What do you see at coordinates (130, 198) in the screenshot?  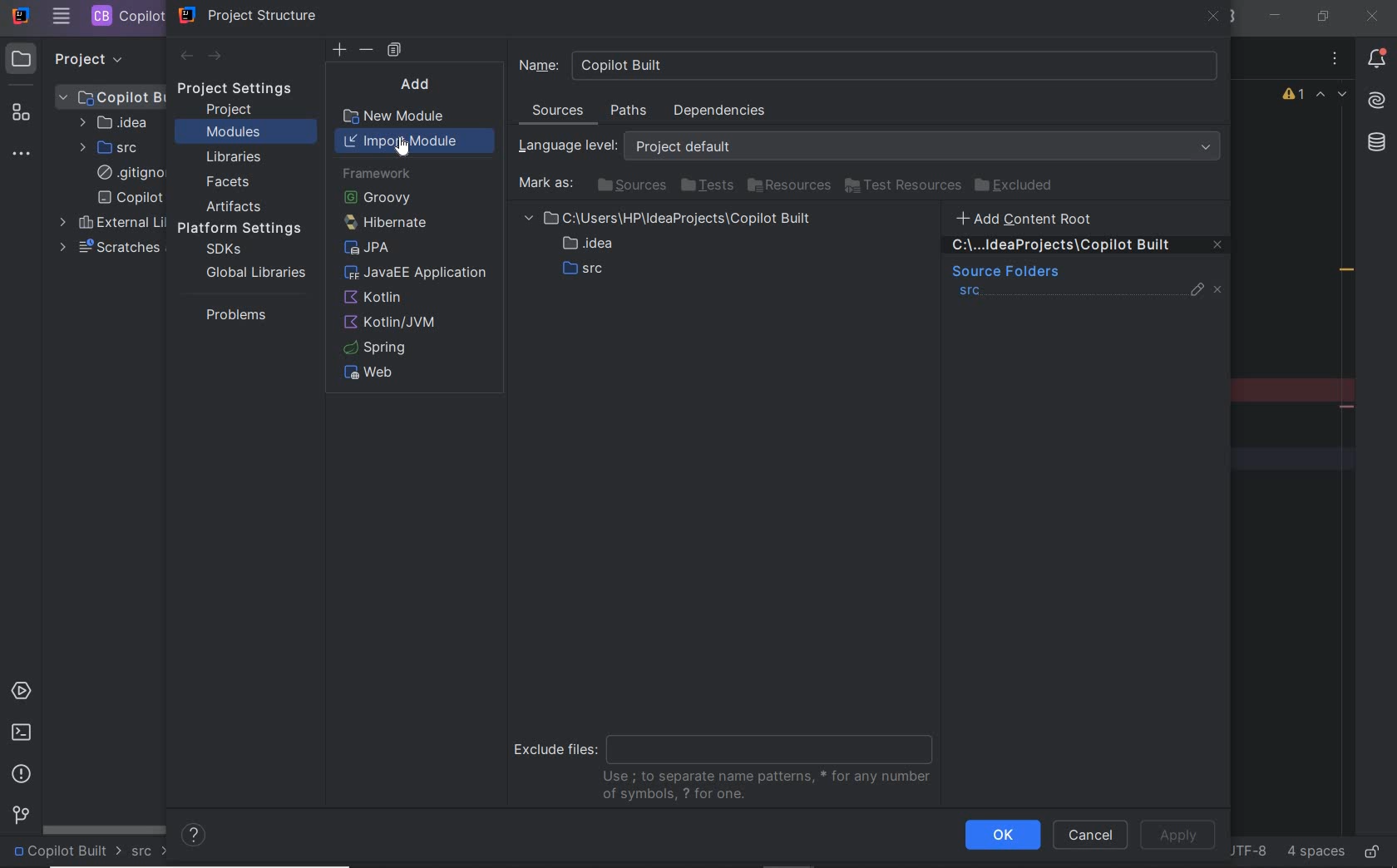 I see `copilot built.iml` at bounding box center [130, 198].